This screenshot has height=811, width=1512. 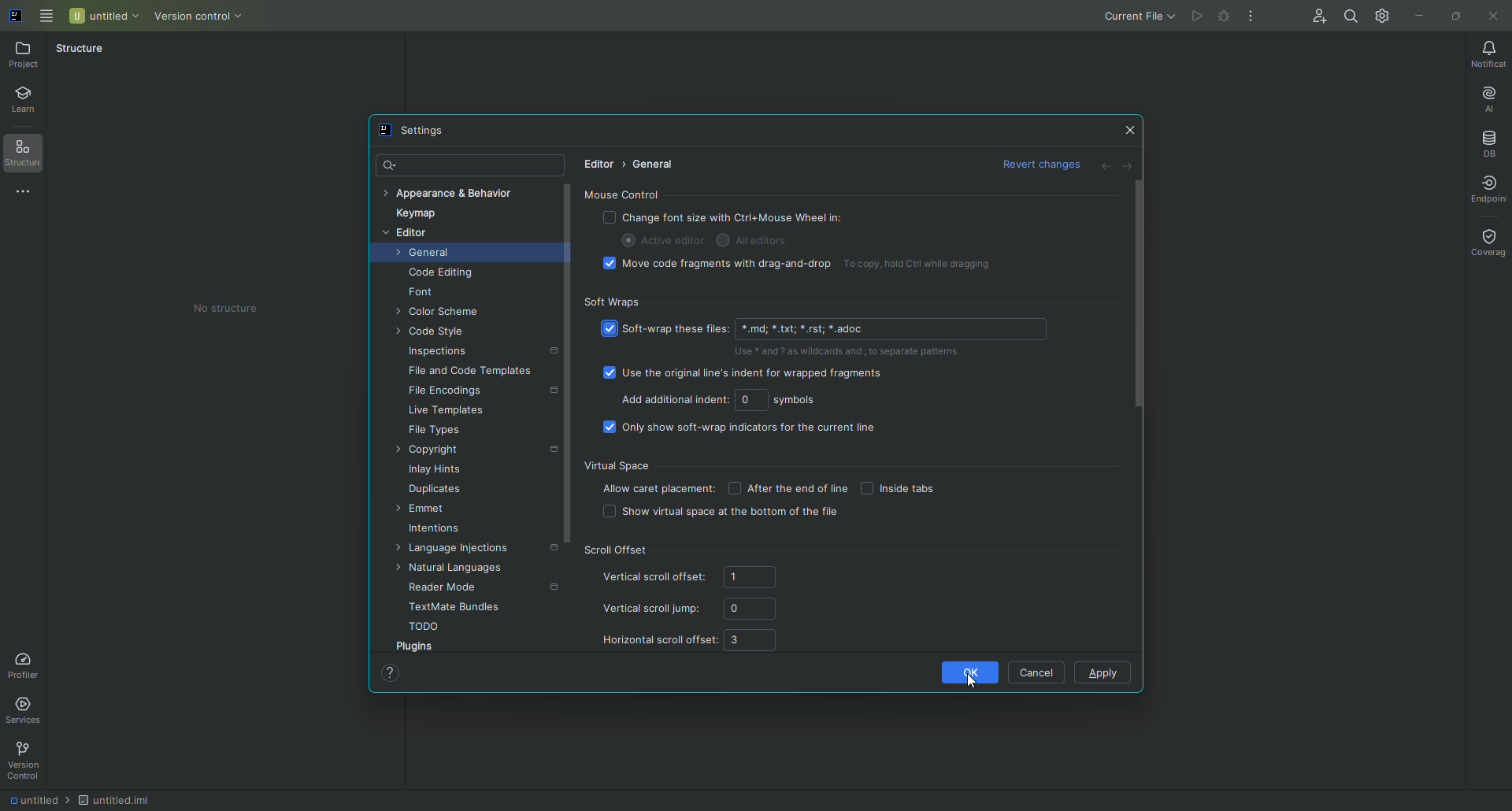 I want to click on Profiler, so click(x=26, y=664).